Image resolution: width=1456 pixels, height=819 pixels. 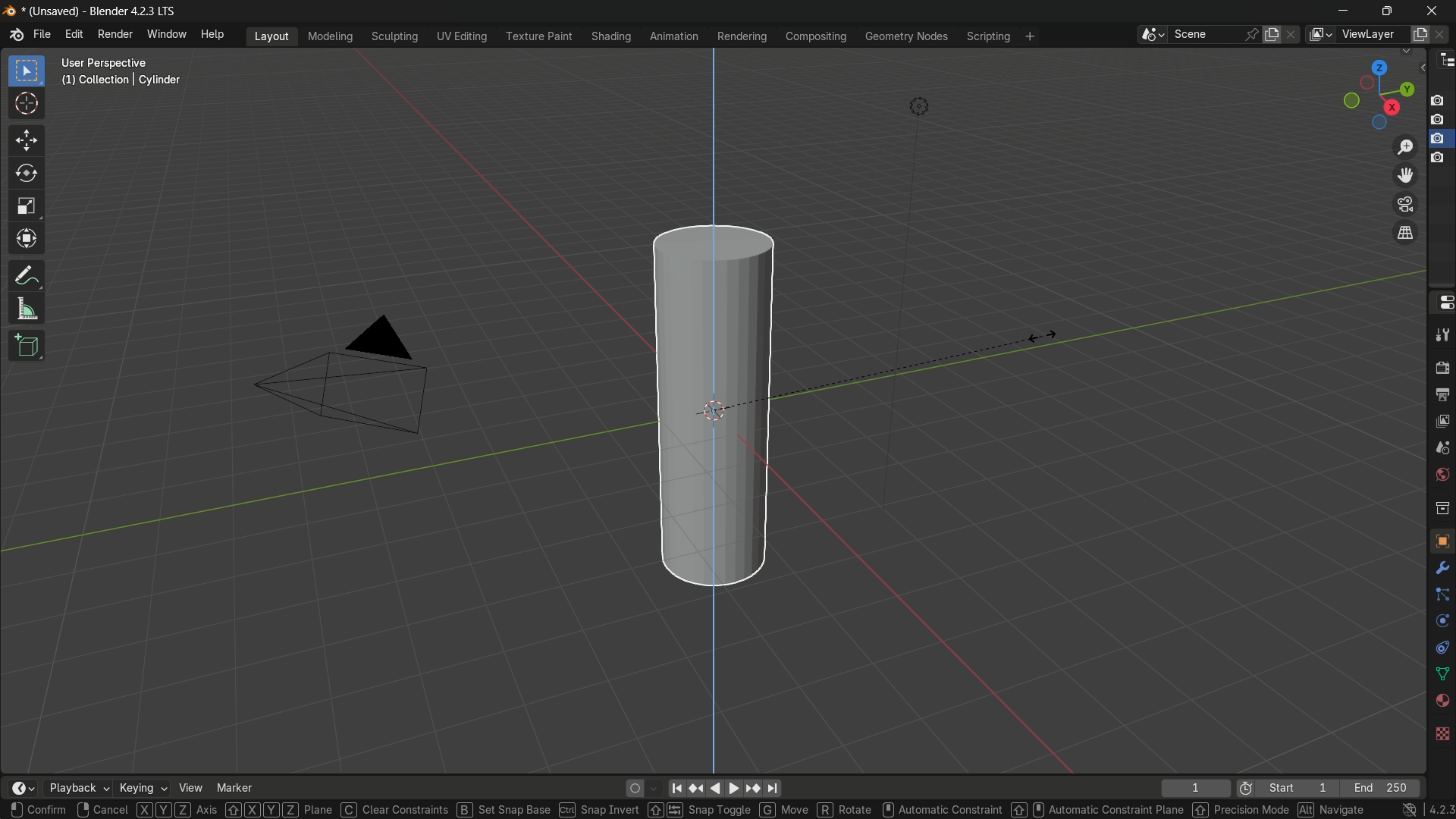 I want to click on scripting, so click(x=989, y=36).